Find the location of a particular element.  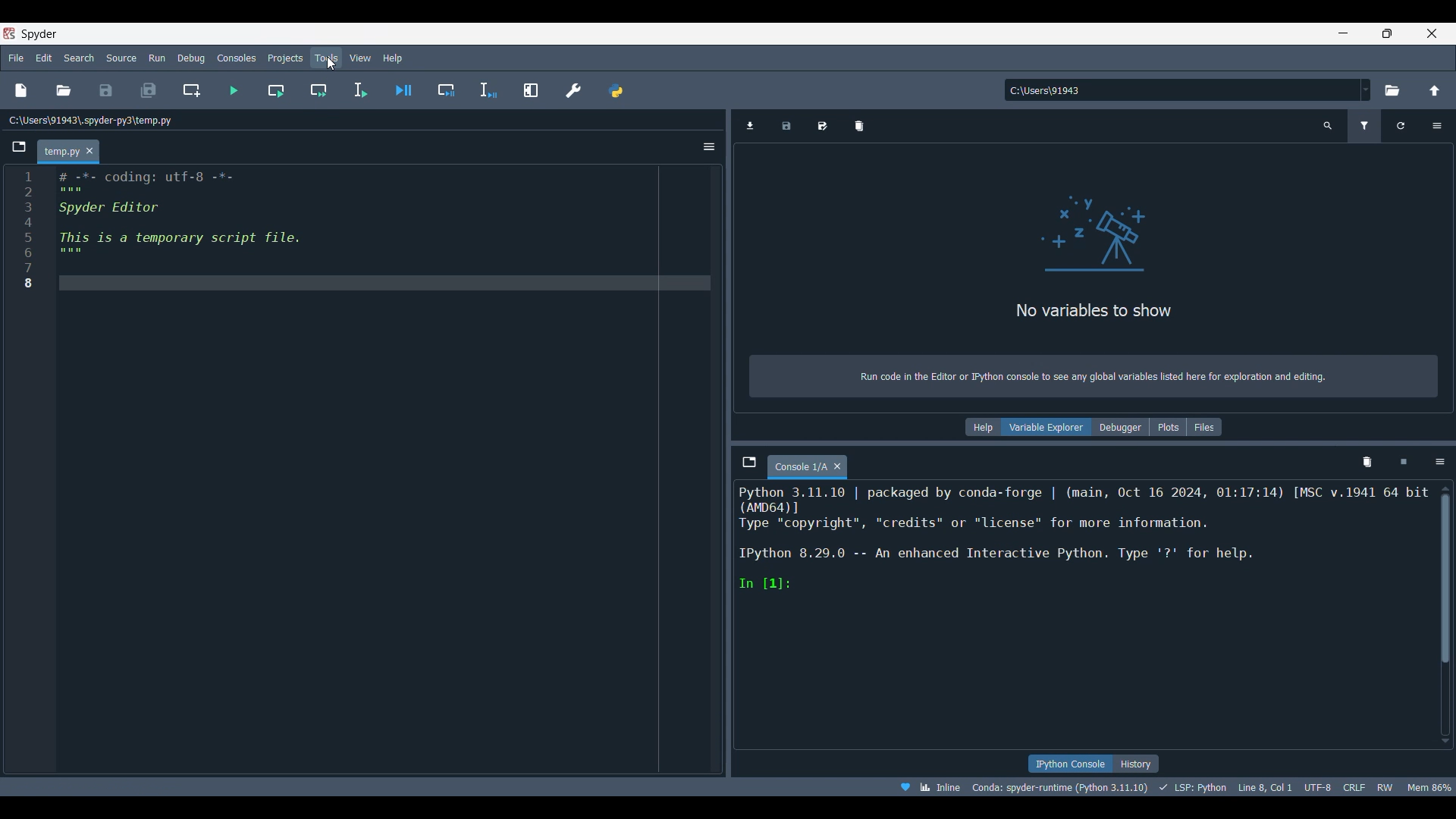

View menu is located at coordinates (360, 58).